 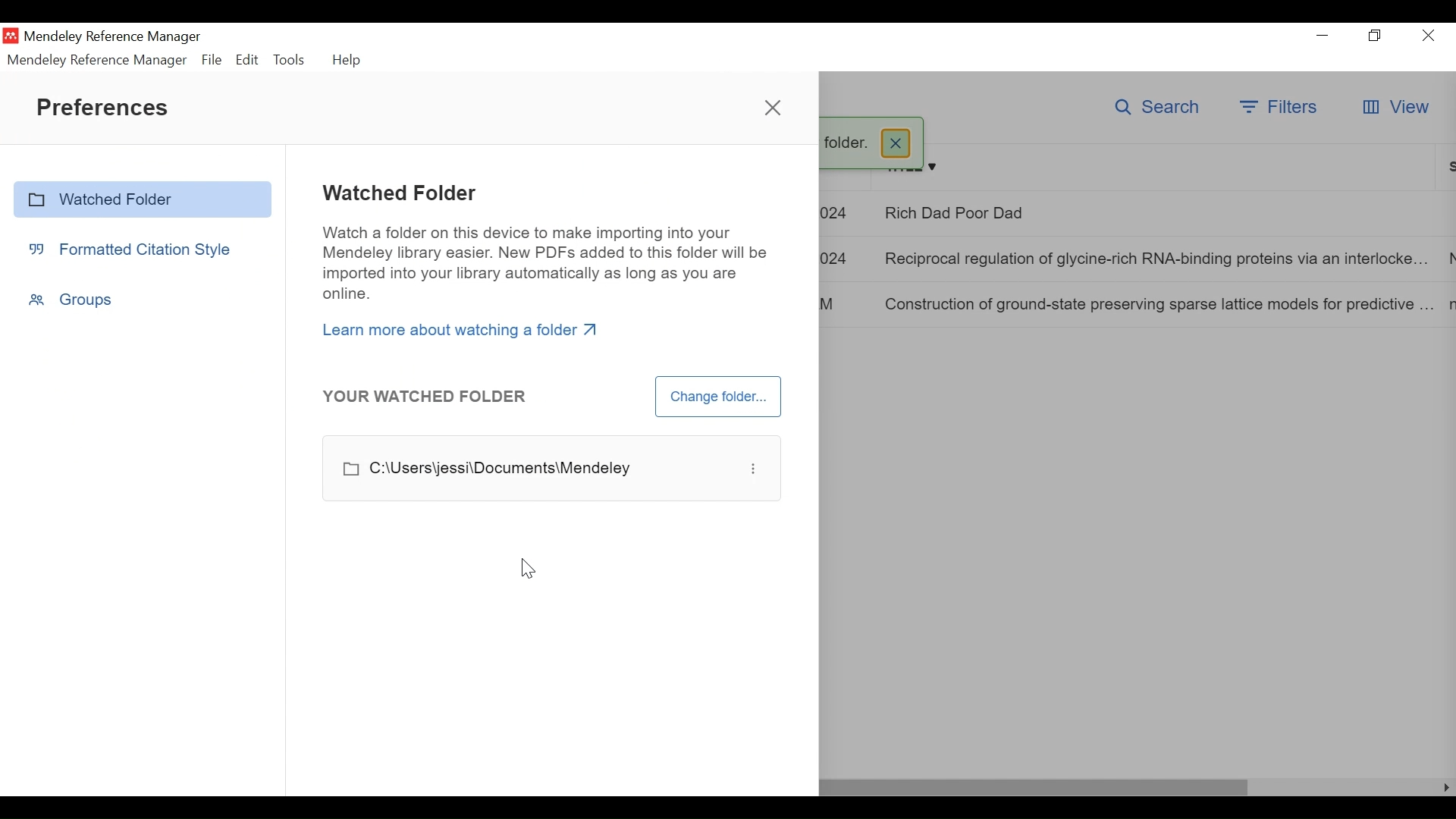 What do you see at coordinates (1150, 306) in the screenshot?
I see `Construction of ground-state preserving sparse lattice models for predictive ...` at bounding box center [1150, 306].